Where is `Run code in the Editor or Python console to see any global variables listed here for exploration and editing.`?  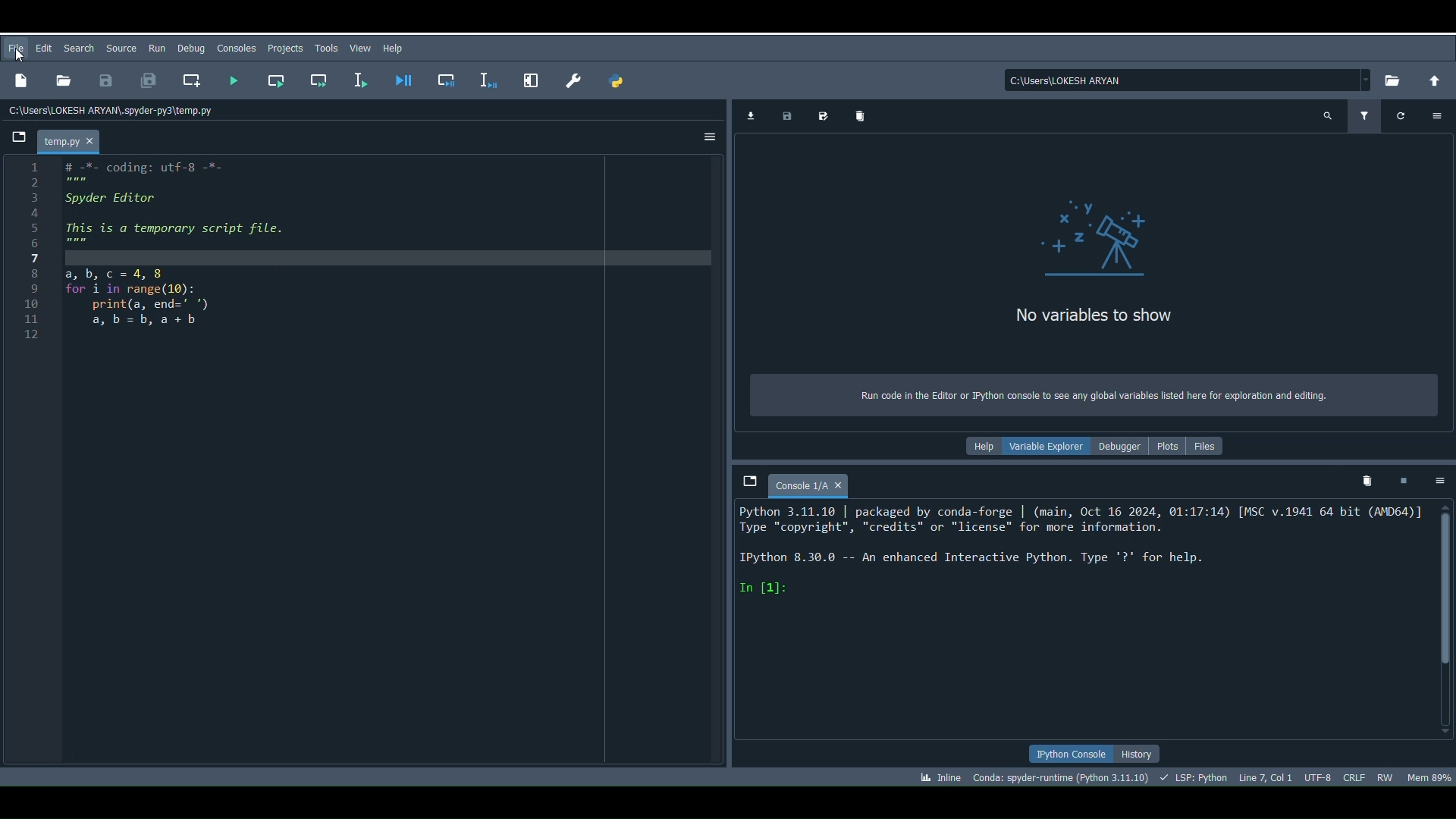
Run code in the Editor or Python console to see any global variables listed here for exploration and editing. is located at coordinates (1094, 395).